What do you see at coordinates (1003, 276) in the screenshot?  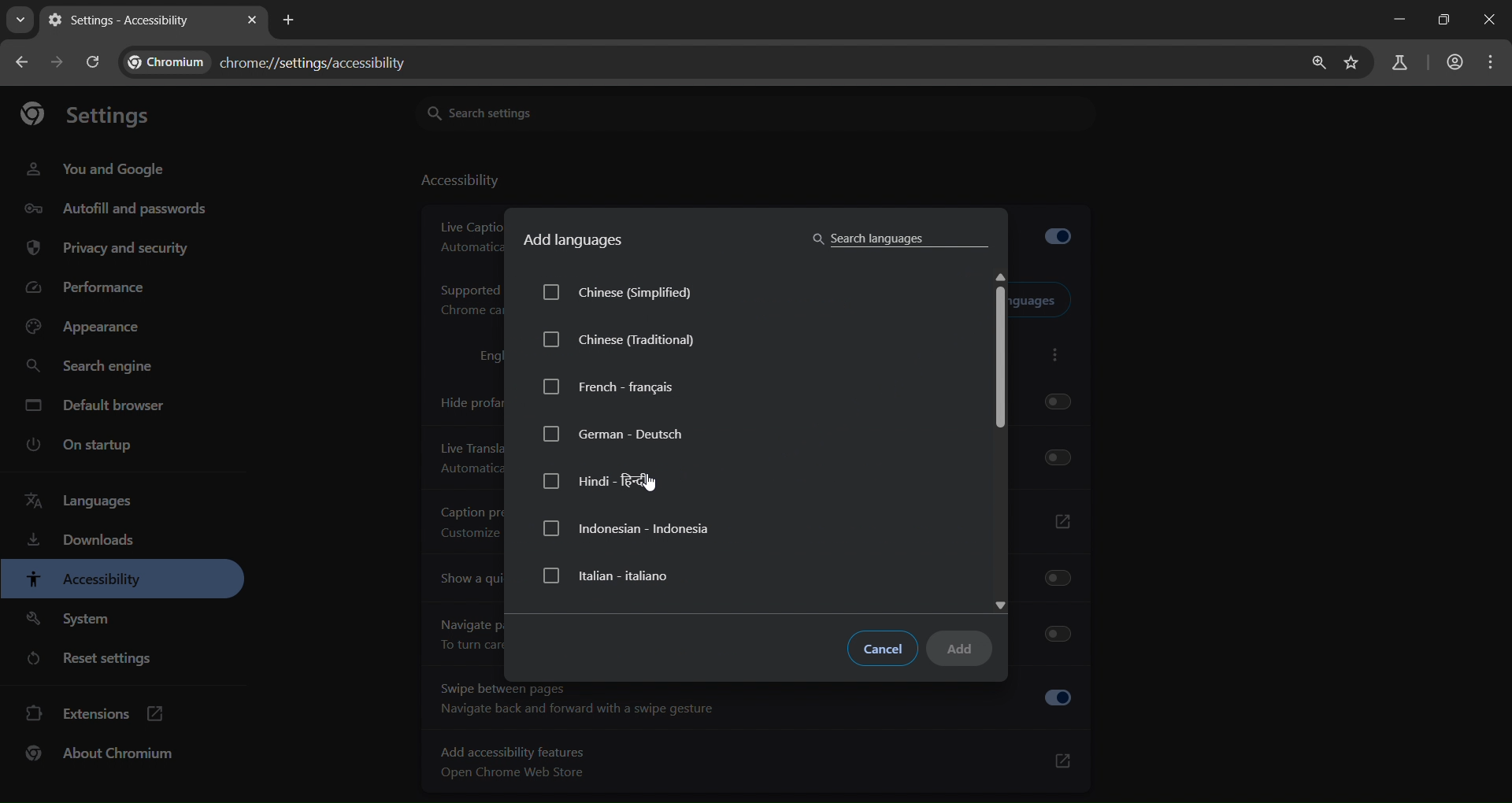 I see `scroll up` at bounding box center [1003, 276].